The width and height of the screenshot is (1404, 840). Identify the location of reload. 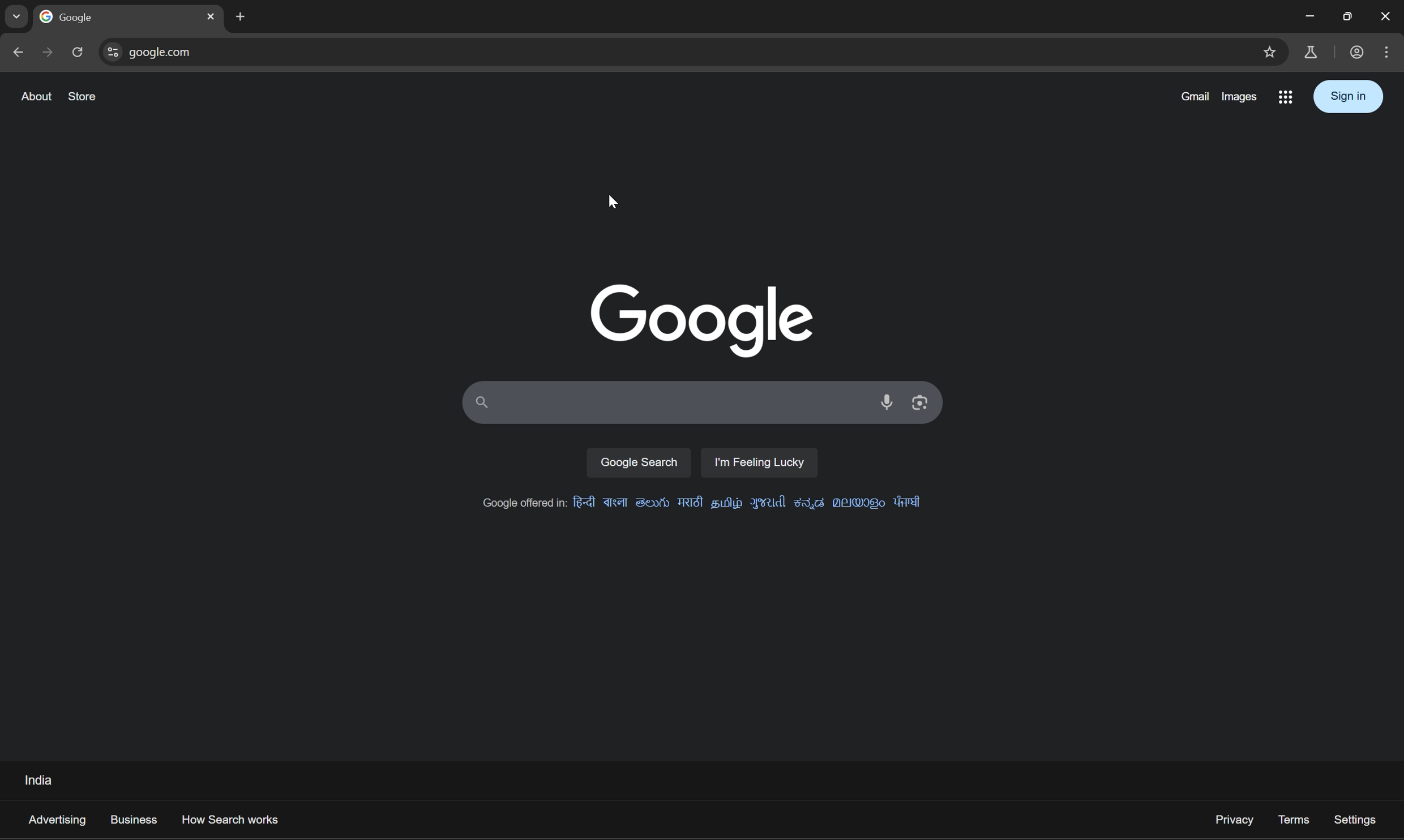
(81, 51).